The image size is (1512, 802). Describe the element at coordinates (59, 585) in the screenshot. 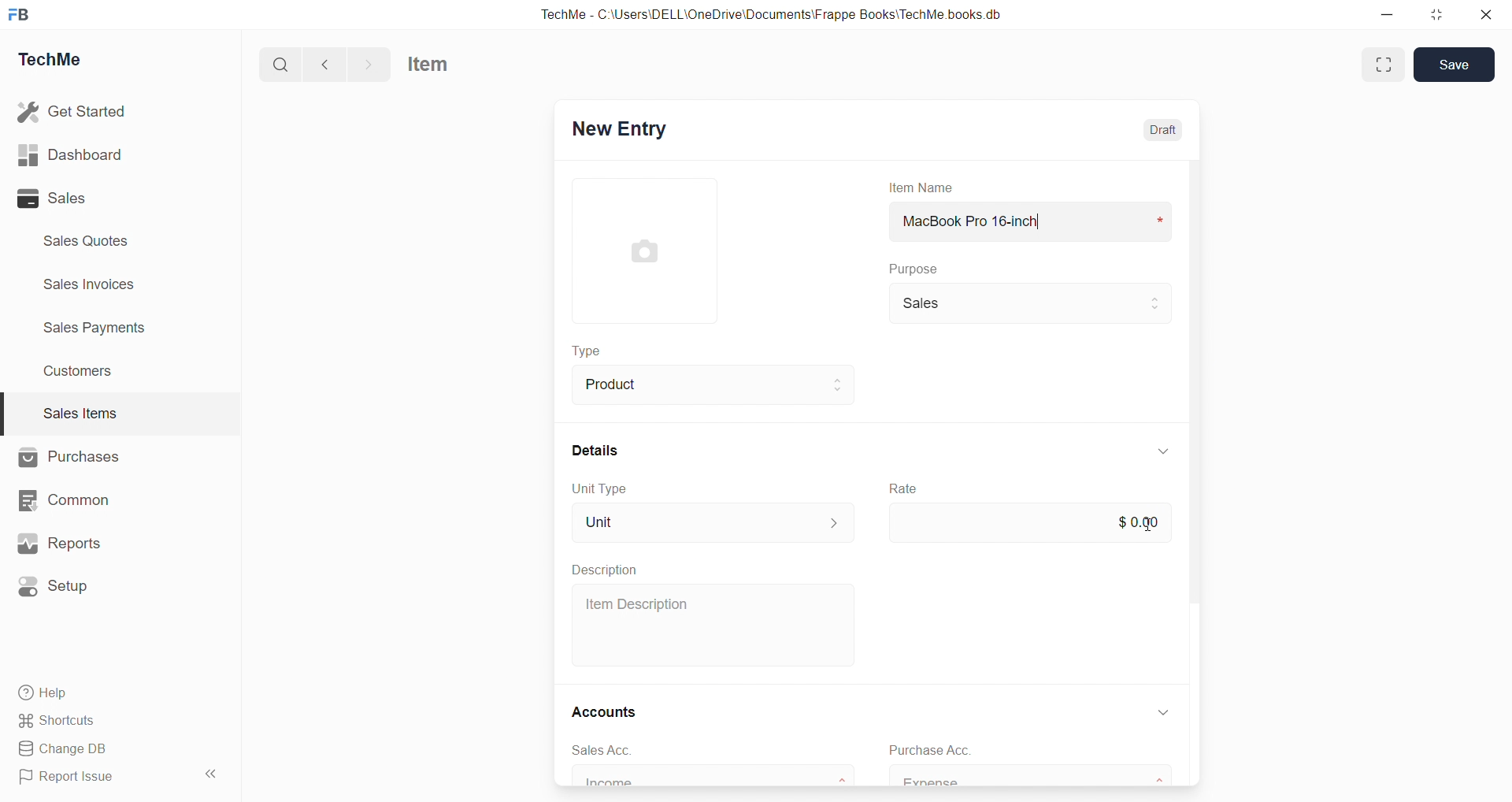

I see `Setup` at that location.